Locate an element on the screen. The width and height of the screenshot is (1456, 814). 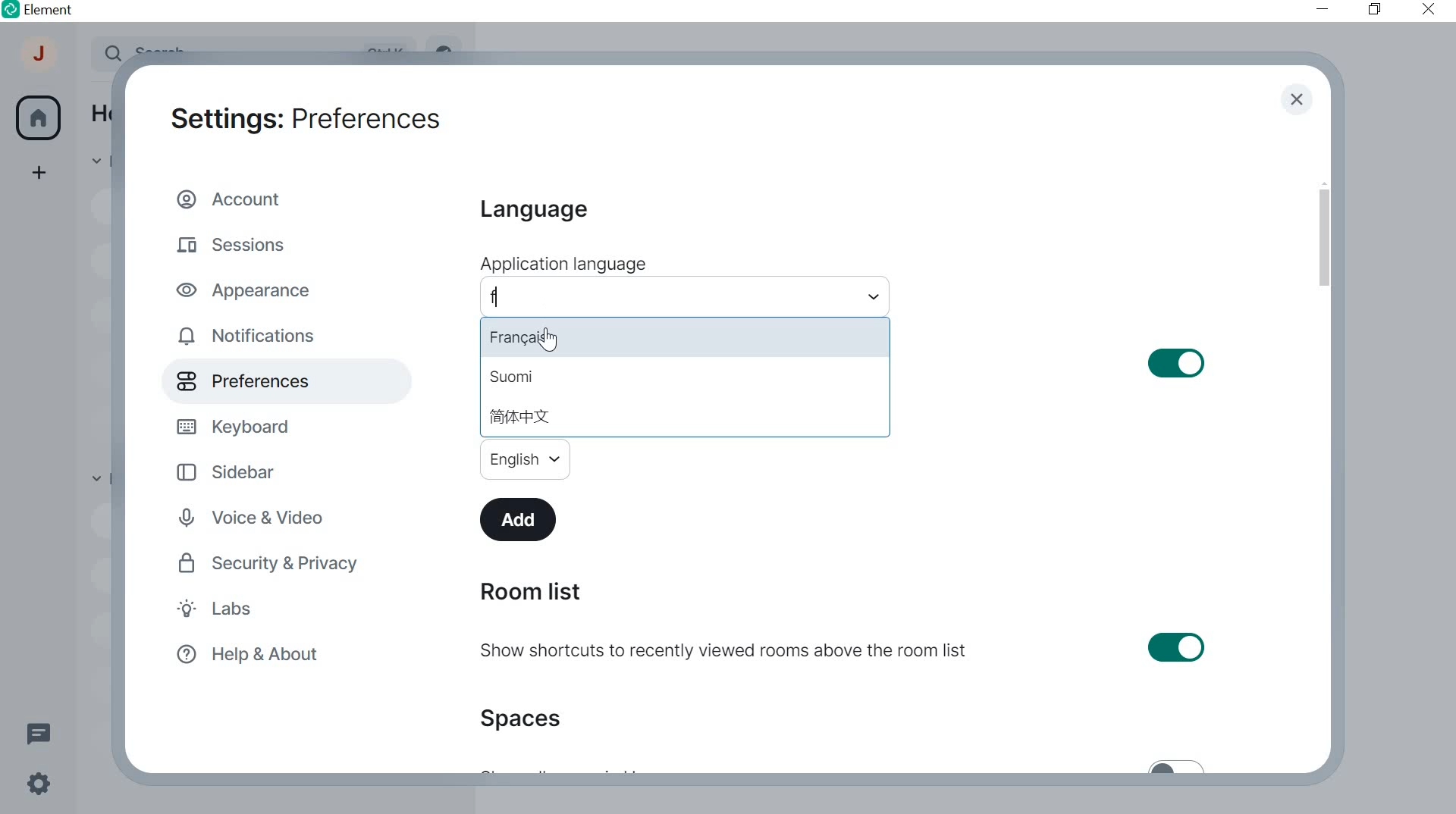
CLOSE is located at coordinates (1424, 8).